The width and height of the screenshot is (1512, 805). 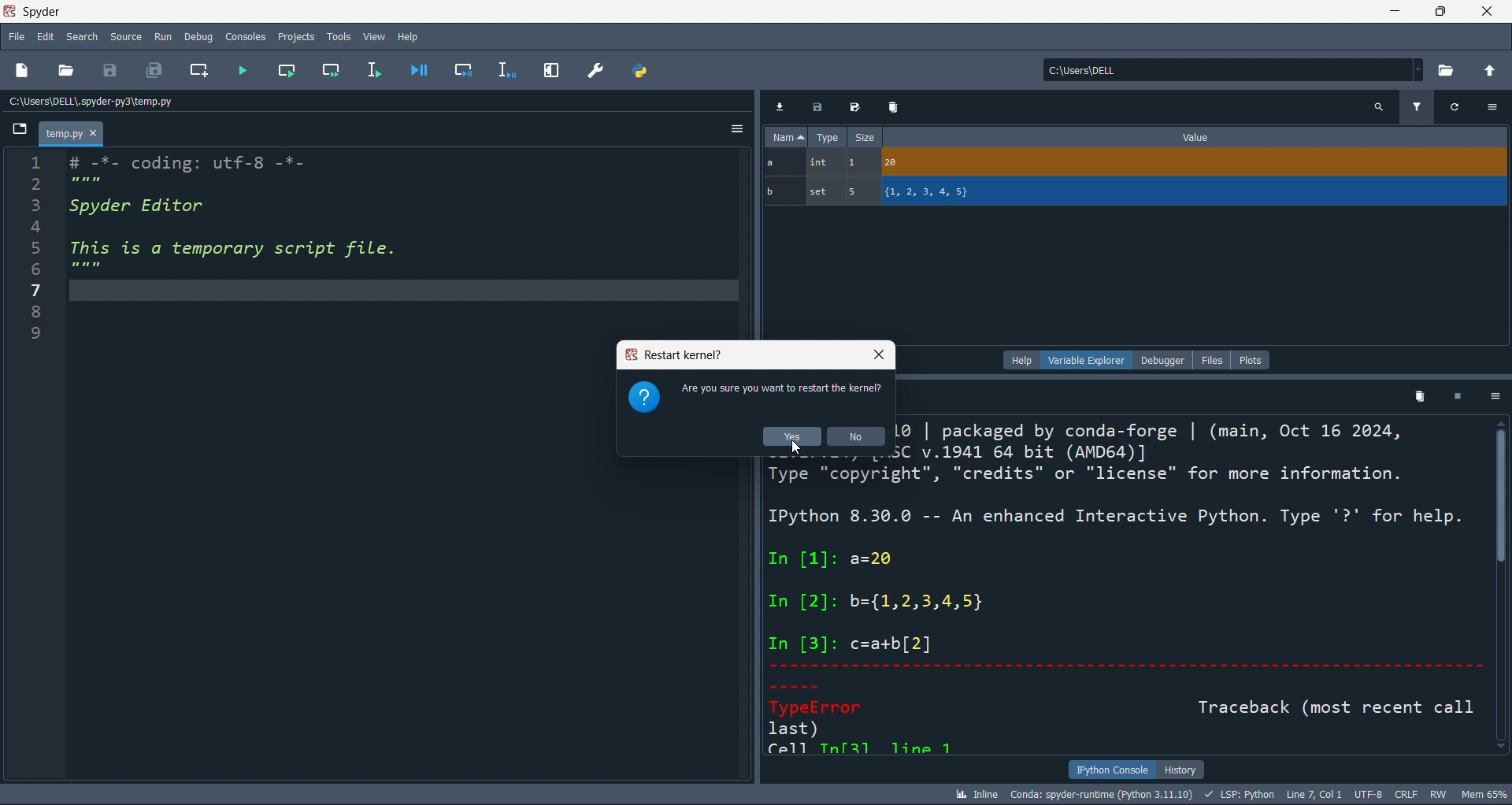 What do you see at coordinates (1503, 589) in the screenshot?
I see `scroll bar` at bounding box center [1503, 589].